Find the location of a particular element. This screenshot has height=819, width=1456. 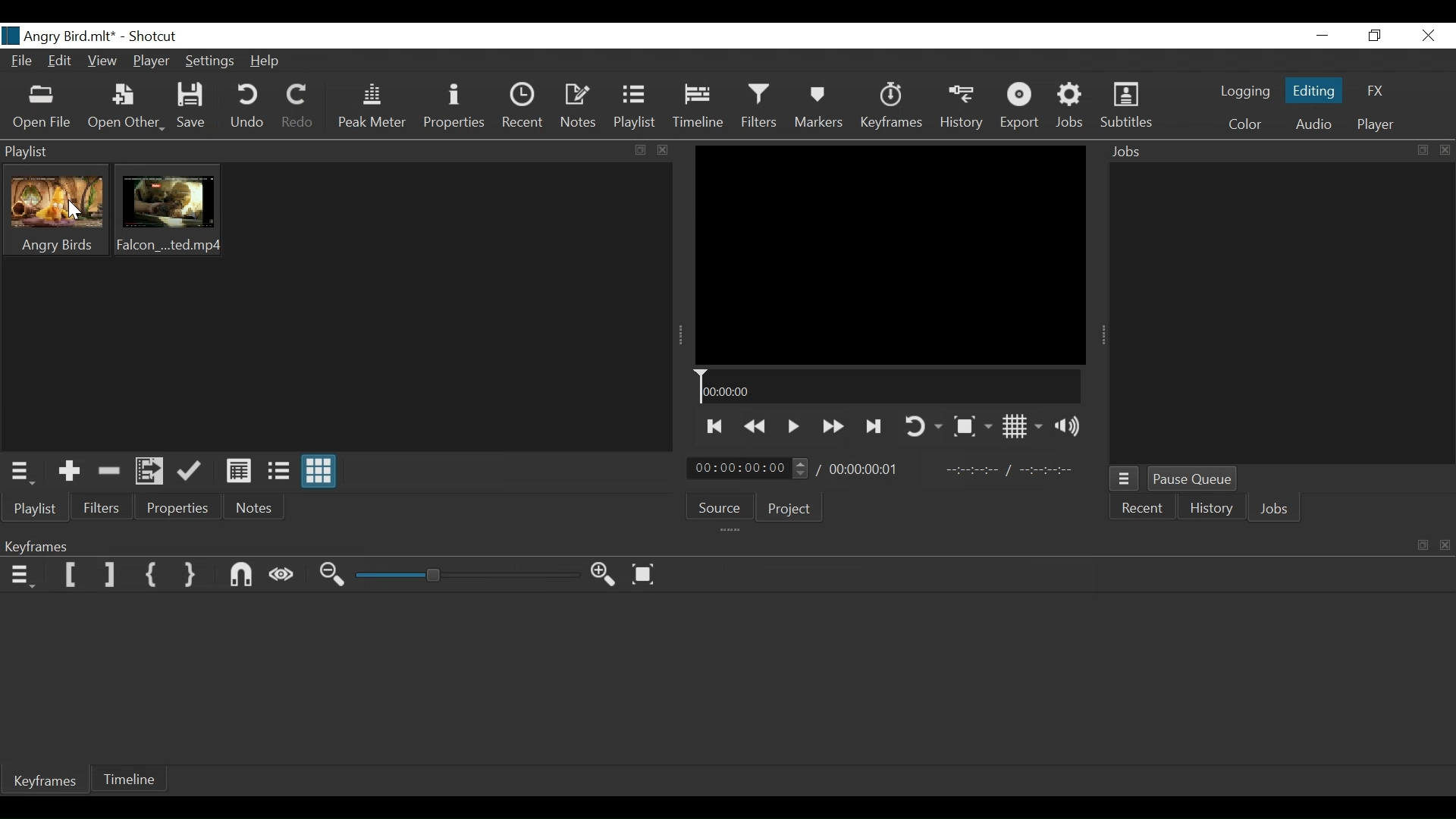

Open Other is located at coordinates (125, 108).